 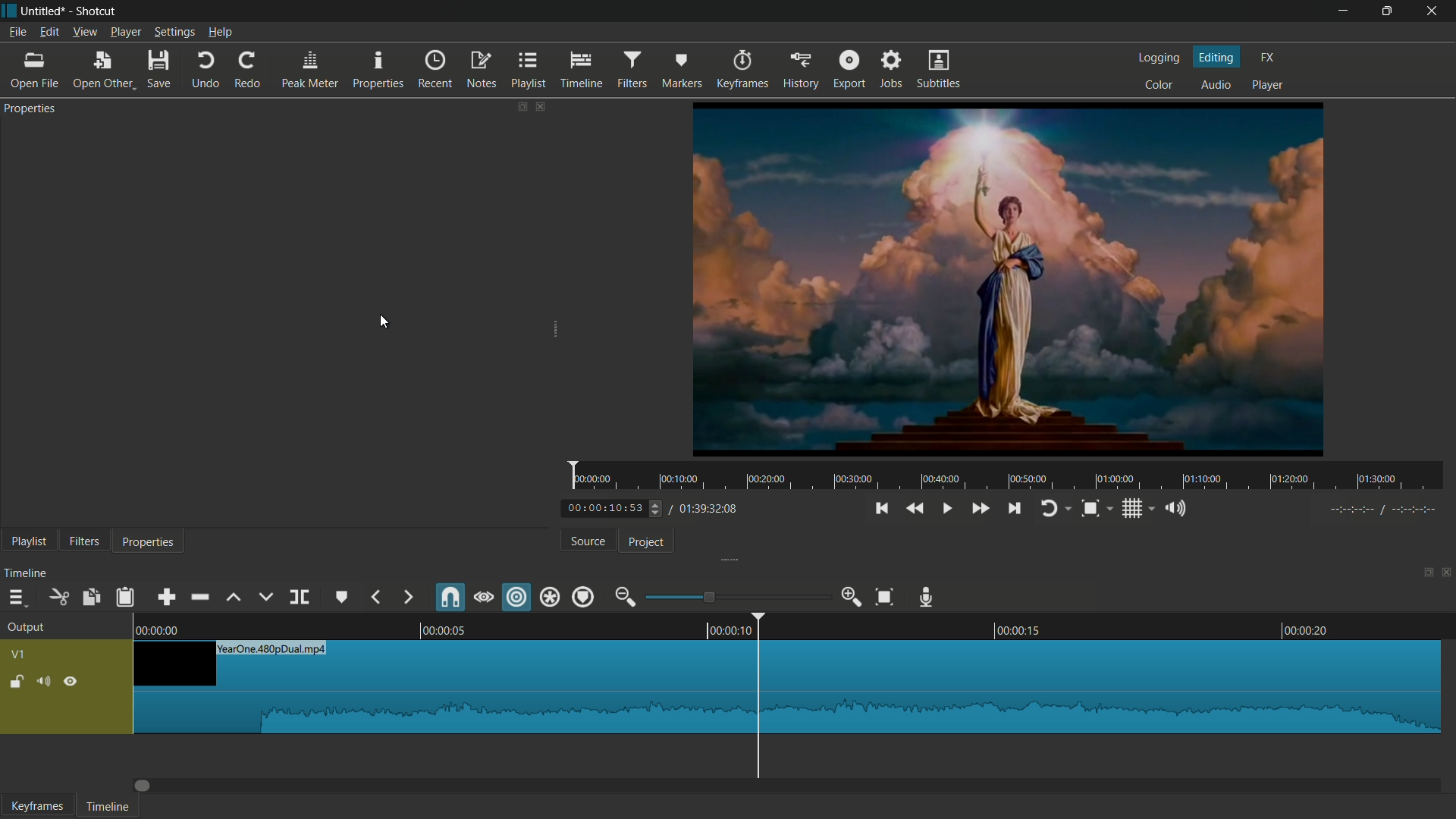 What do you see at coordinates (83, 541) in the screenshot?
I see `filters` at bounding box center [83, 541].